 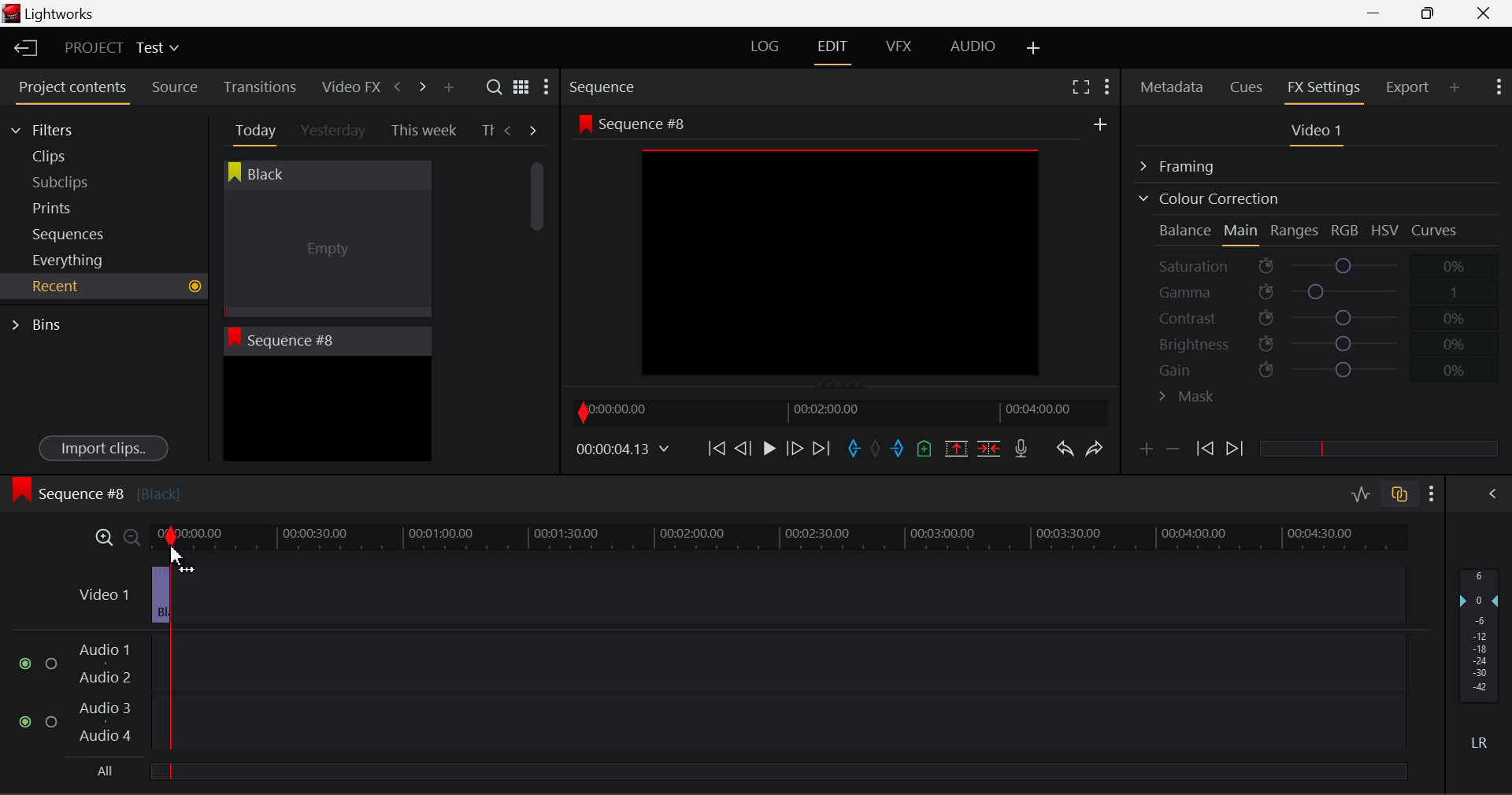 What do you see at coordinates (1320, 292) in the screenshot?
I see `Gamma` at bounding box center [1320, 292].